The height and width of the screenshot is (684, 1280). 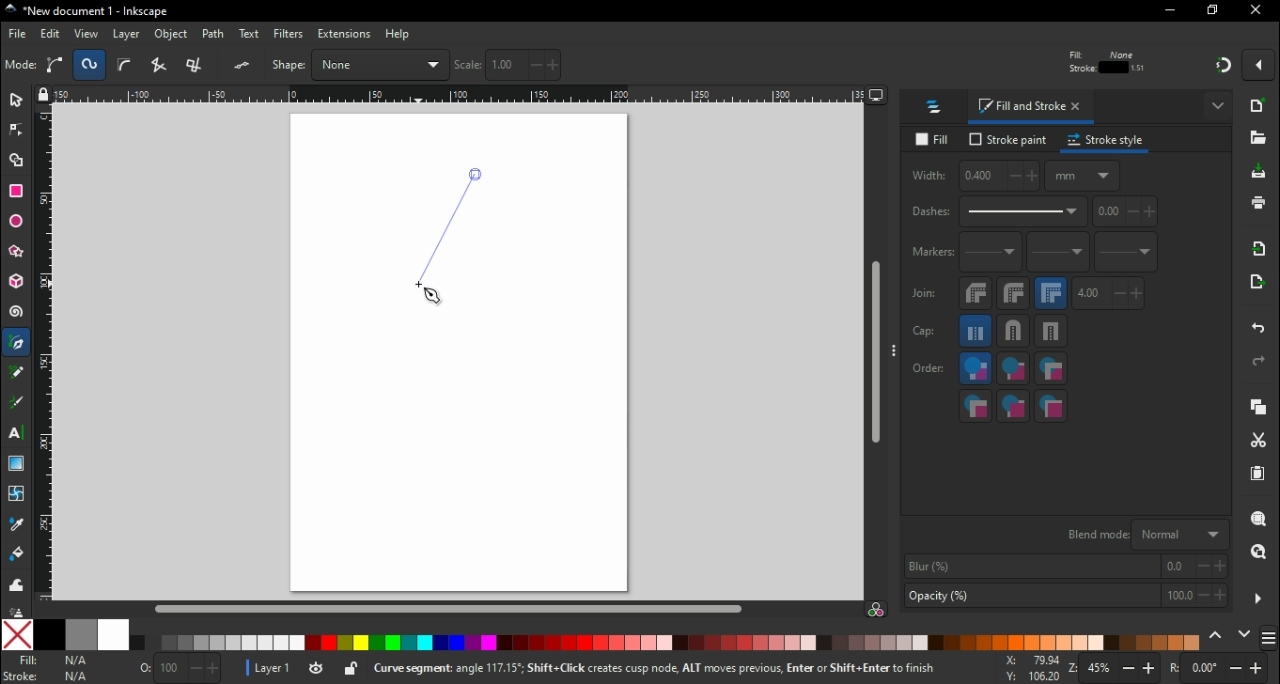 I want to click on more options, so click(x=895, y=354).